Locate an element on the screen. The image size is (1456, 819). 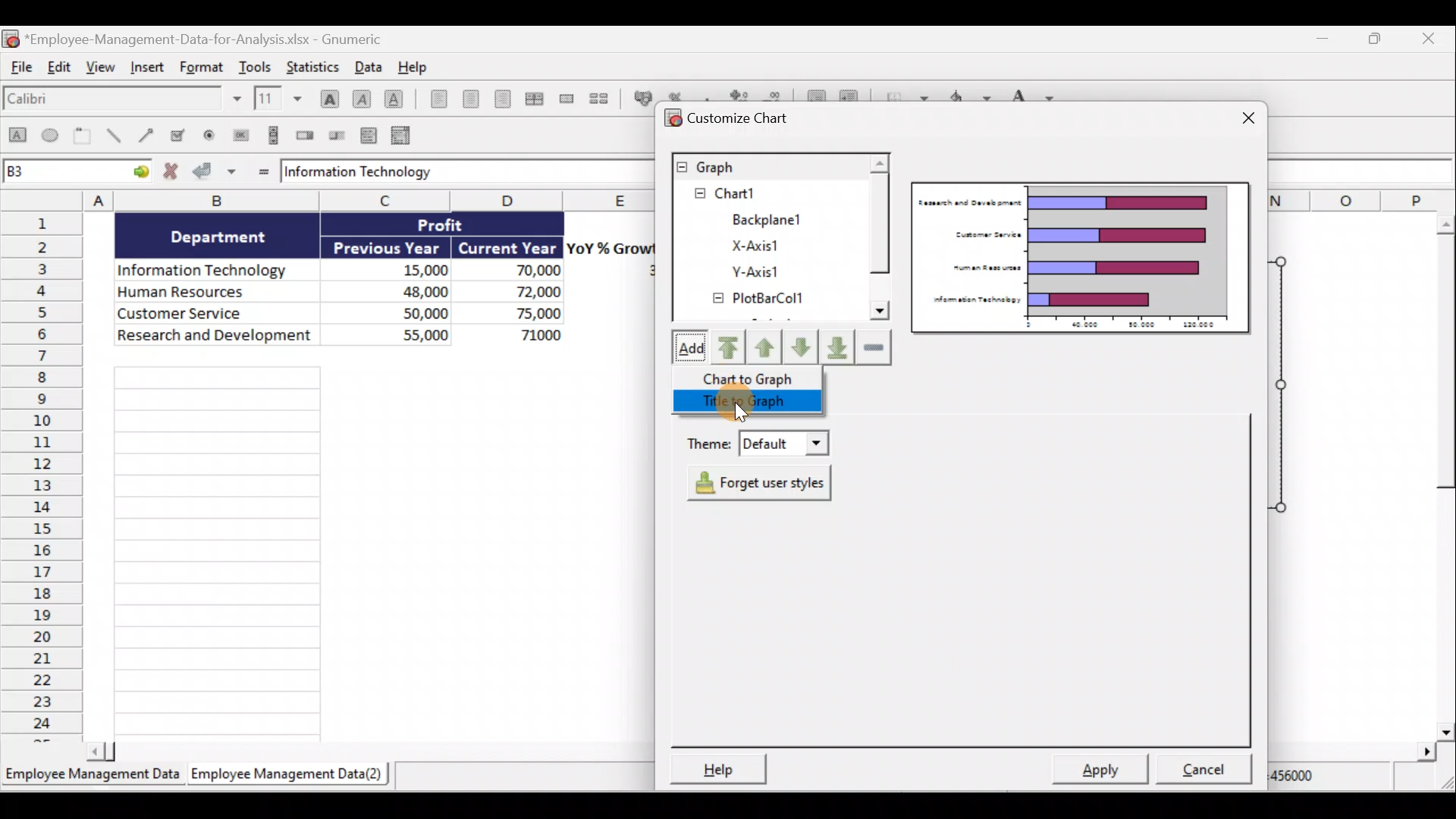
55,000 is located at coordinates (406, 334).